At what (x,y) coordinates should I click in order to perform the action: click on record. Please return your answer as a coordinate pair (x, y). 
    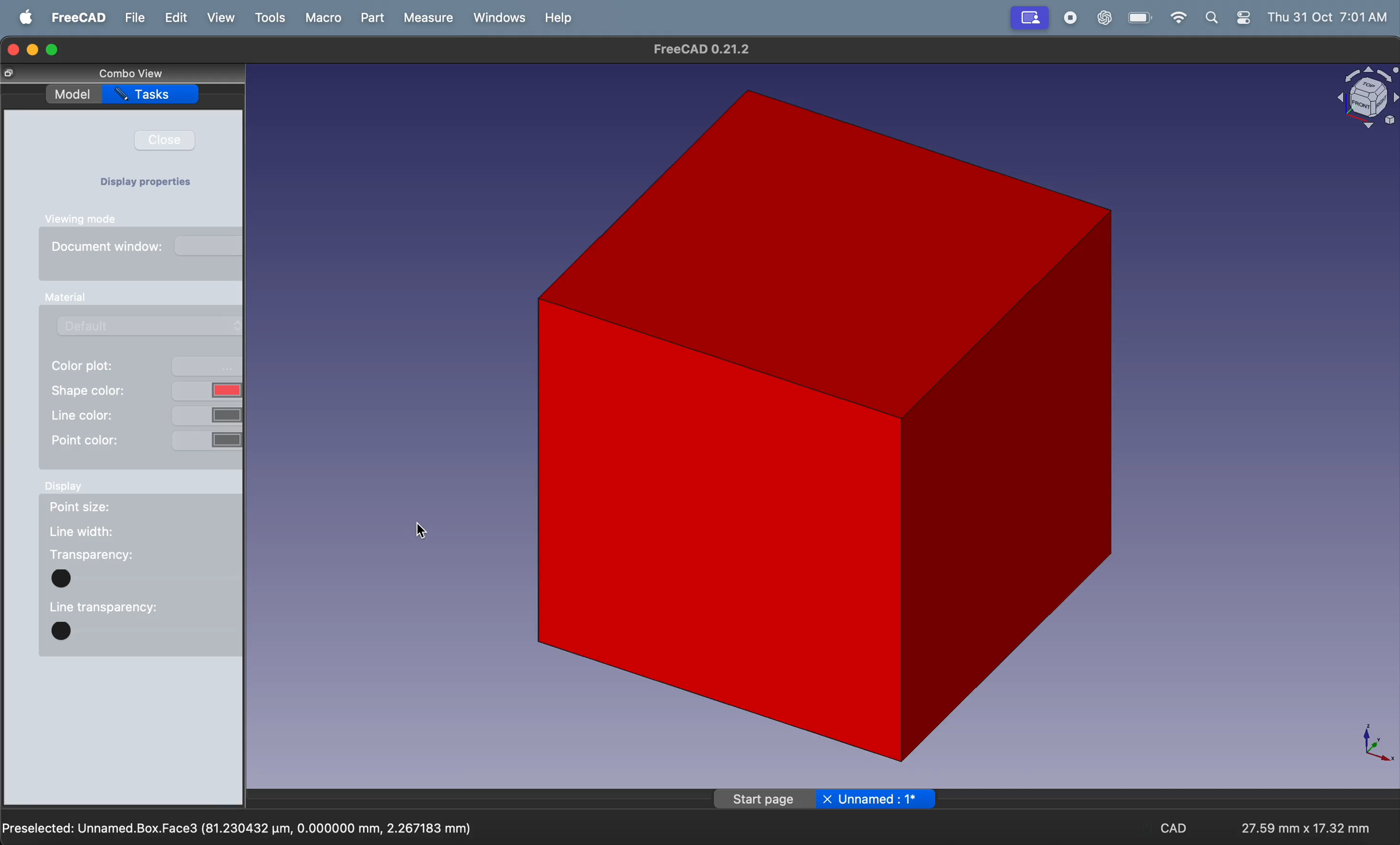
    Looking at the image, I should click on (1069, 19).